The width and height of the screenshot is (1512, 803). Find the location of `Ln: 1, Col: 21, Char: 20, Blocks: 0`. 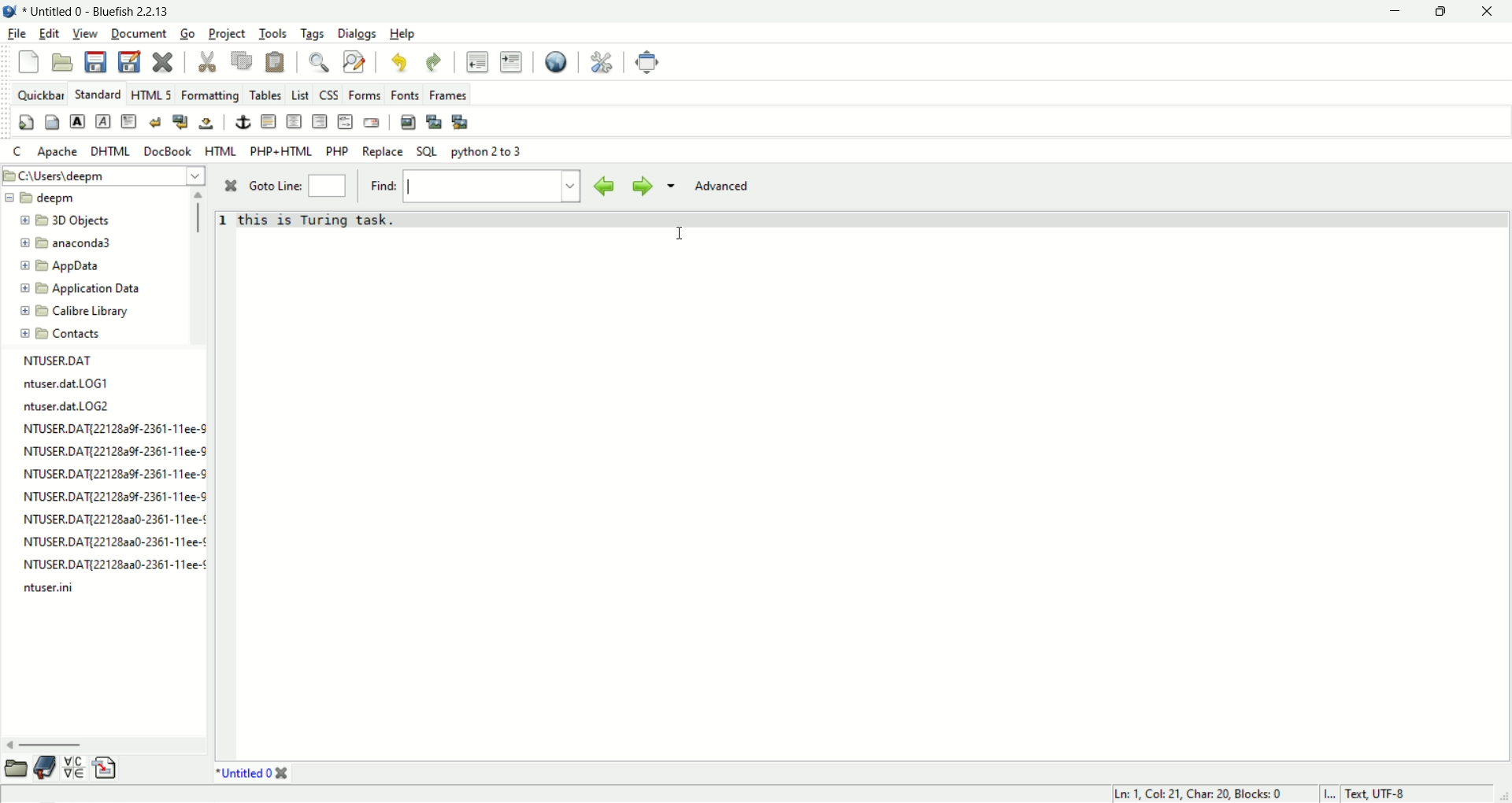

Ln: 1, Col: 21, Char: 20, Blocks: 0 is located at coordinates (1195, 791).